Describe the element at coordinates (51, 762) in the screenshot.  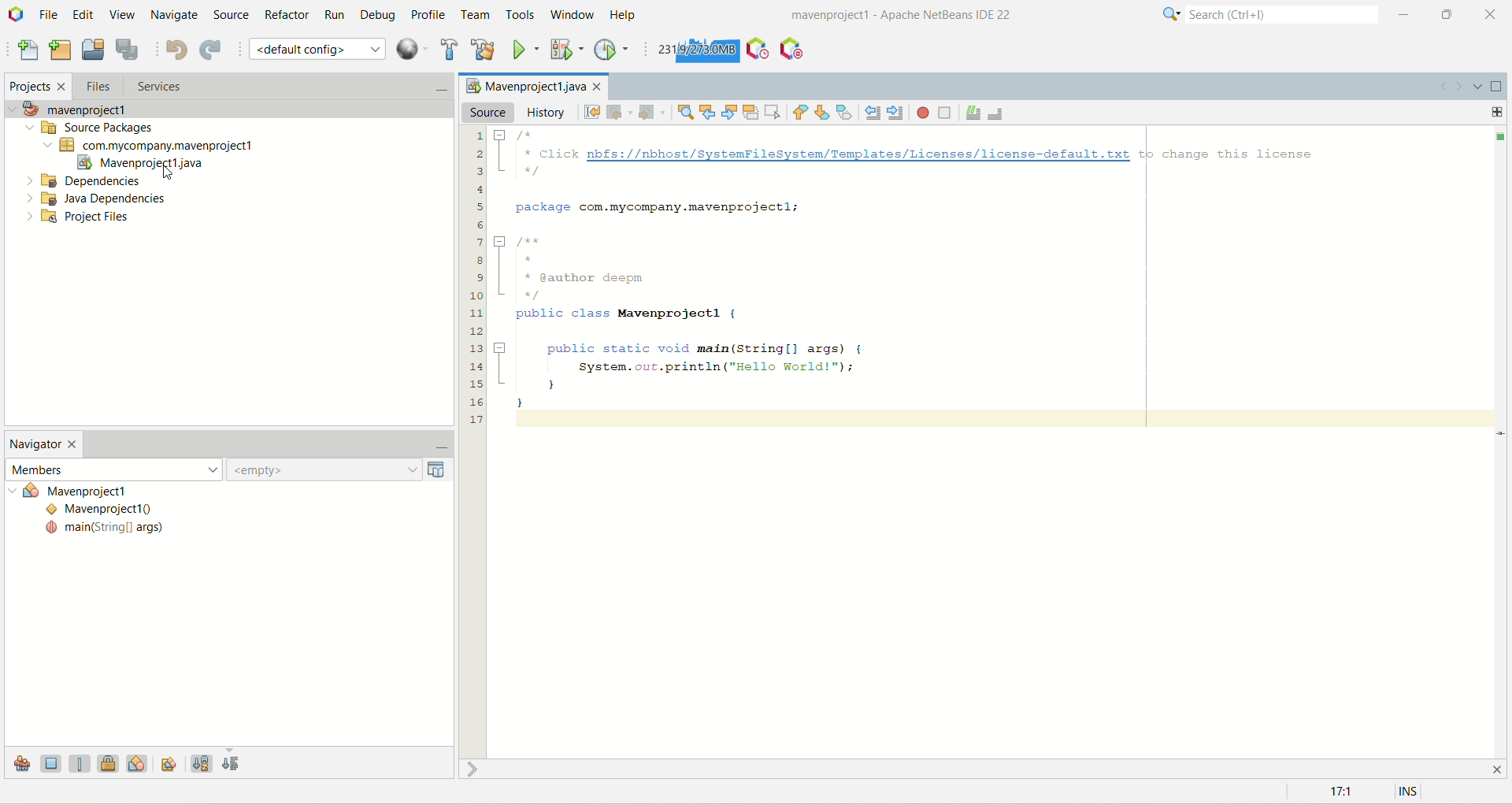
I see `show field` at that location.